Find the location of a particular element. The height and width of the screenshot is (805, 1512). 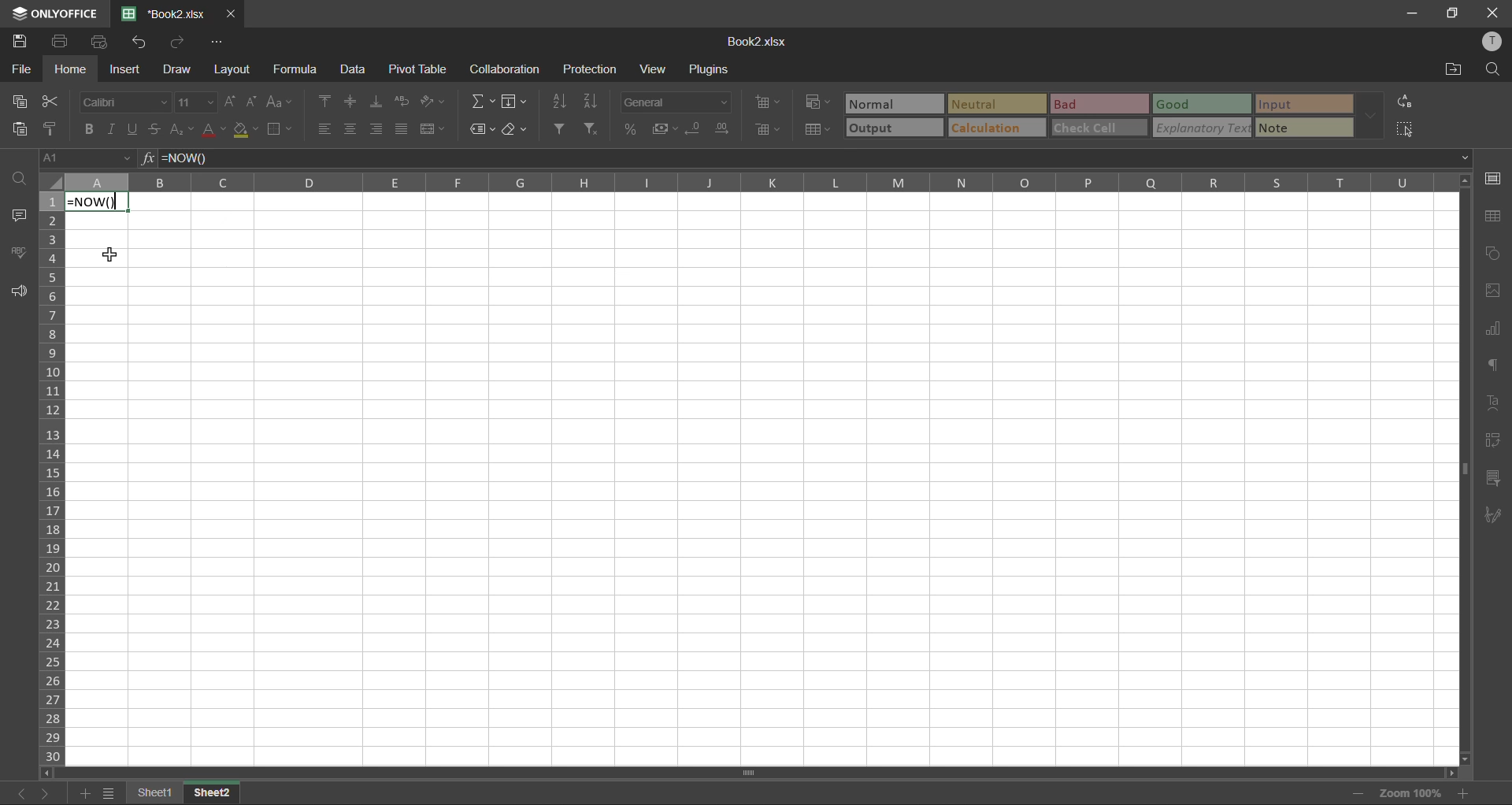

cut is located at coordinates (46, 102).